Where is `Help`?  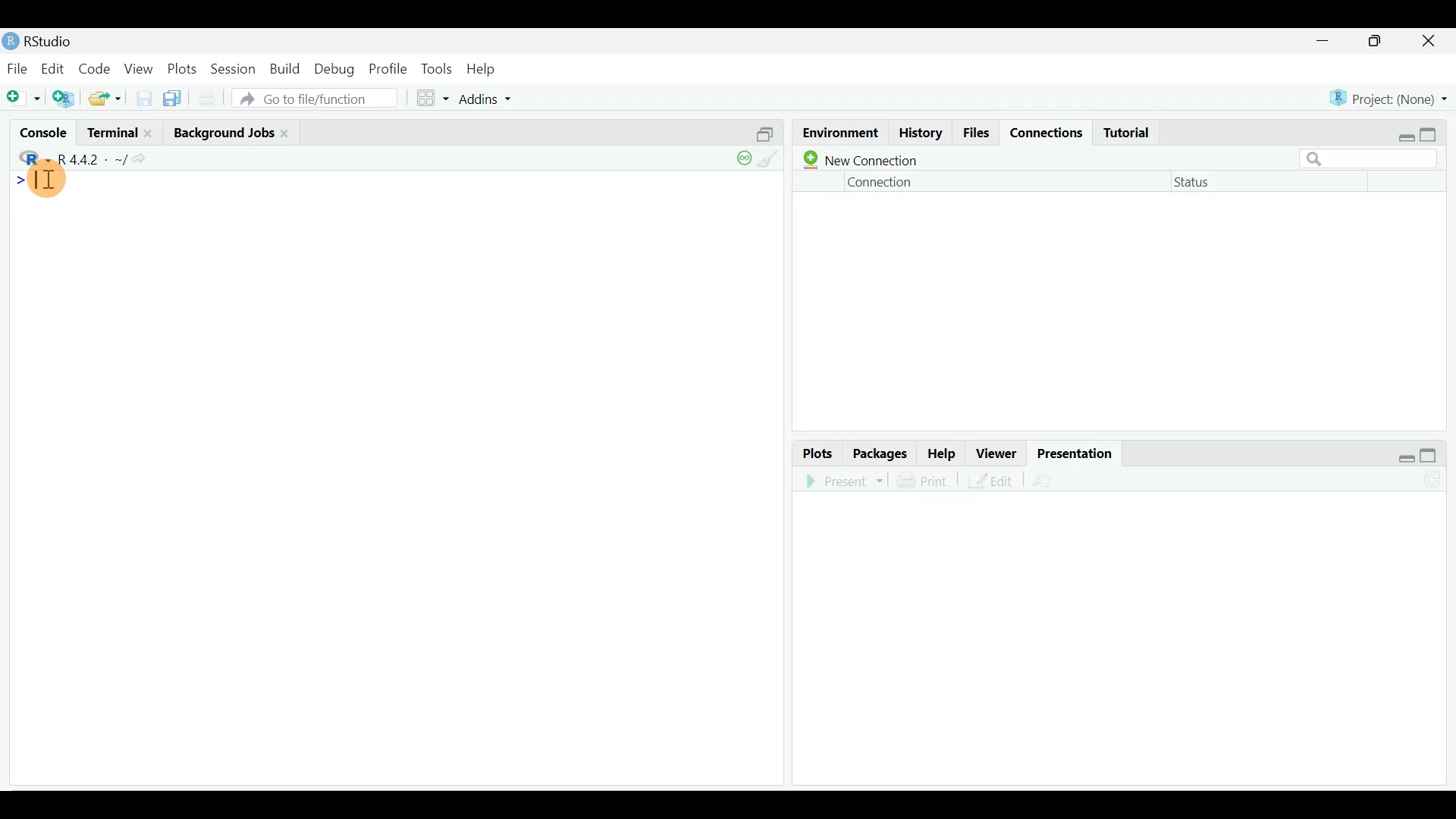 Help is located at coordinates (482, 66).